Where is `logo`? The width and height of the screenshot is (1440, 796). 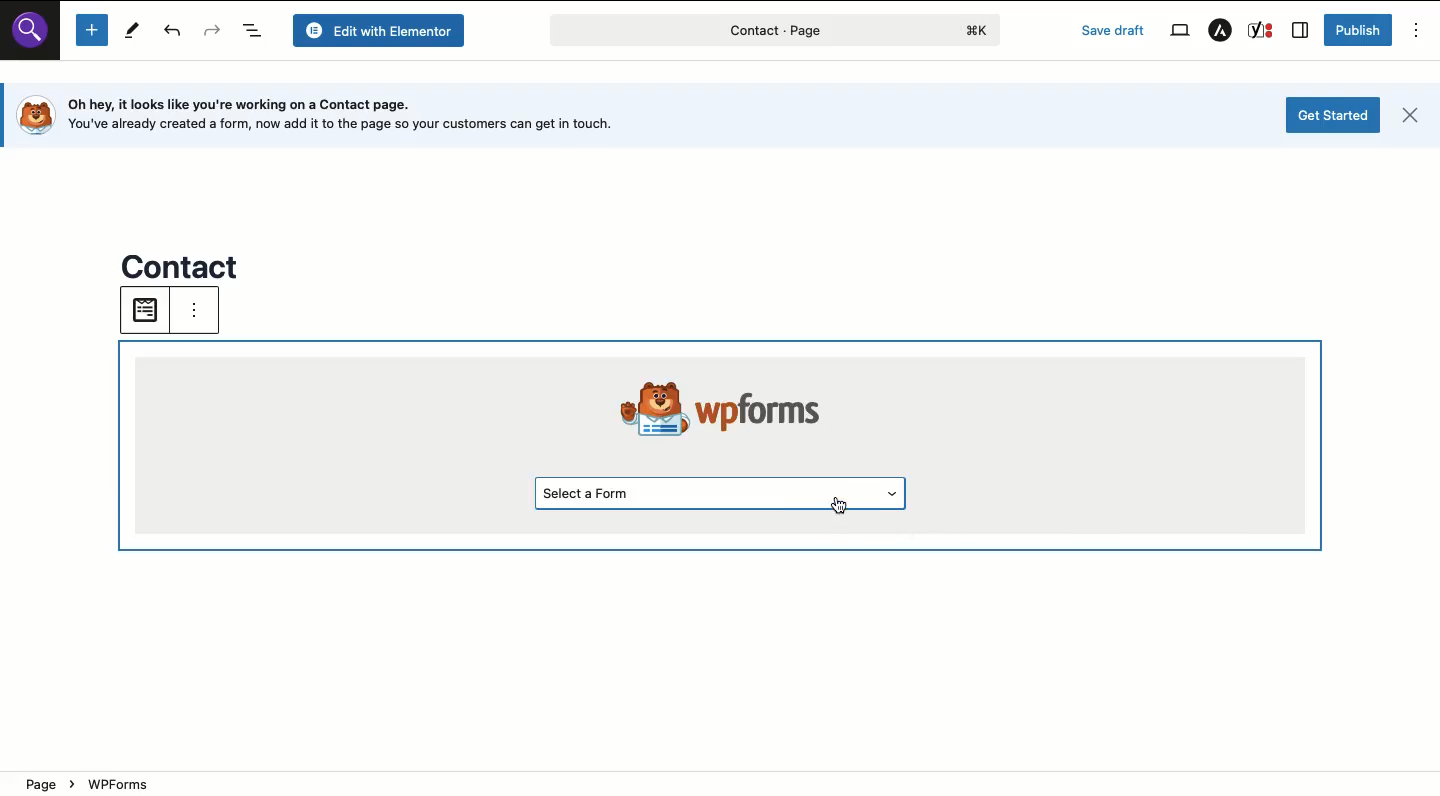 logo is located at coordinates (33, 115).